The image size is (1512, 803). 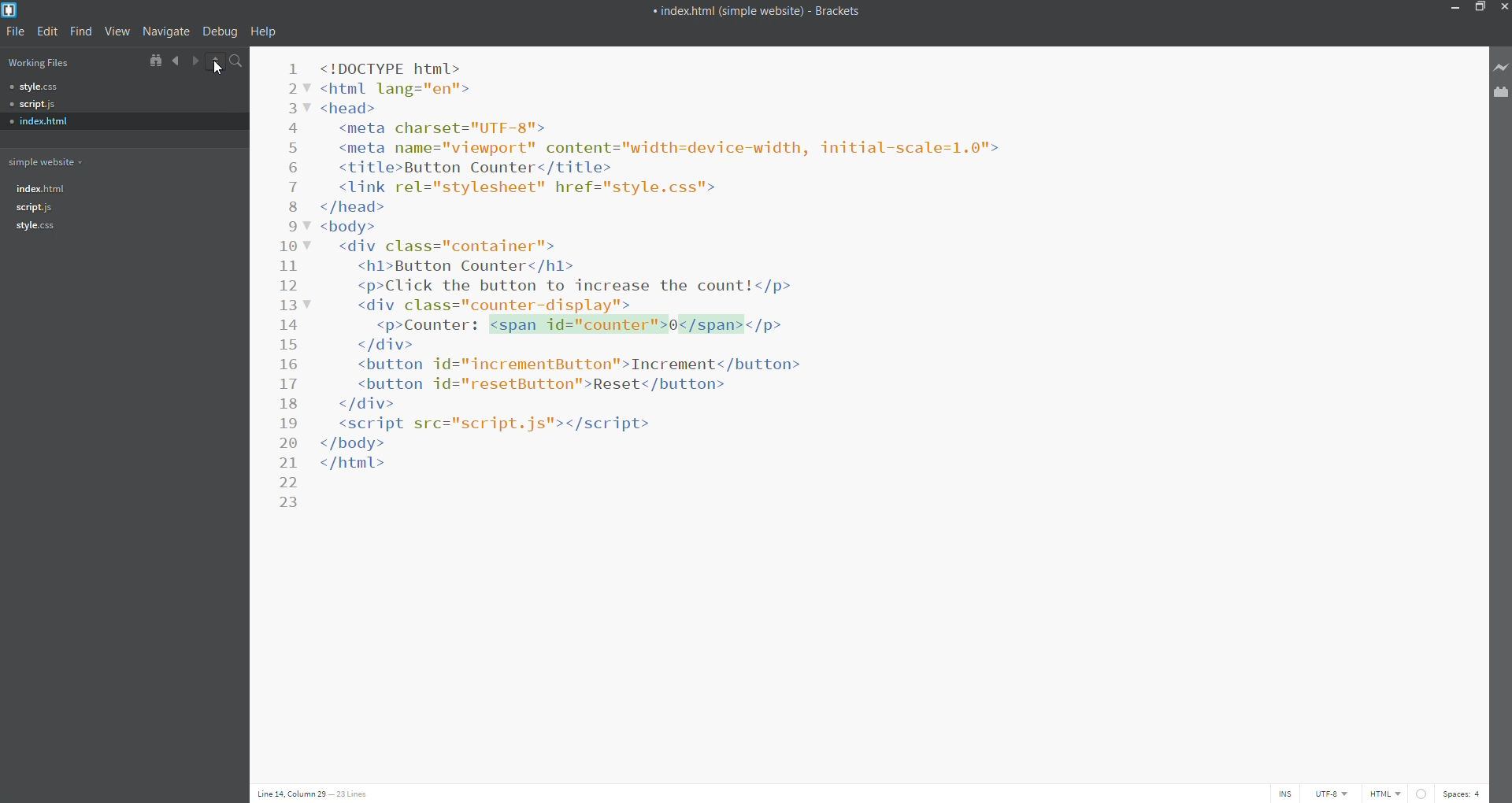 What do you see at coordinates (1449, 9) in the screenshot?
I see `minimize` at bounding box center [1449, 9].